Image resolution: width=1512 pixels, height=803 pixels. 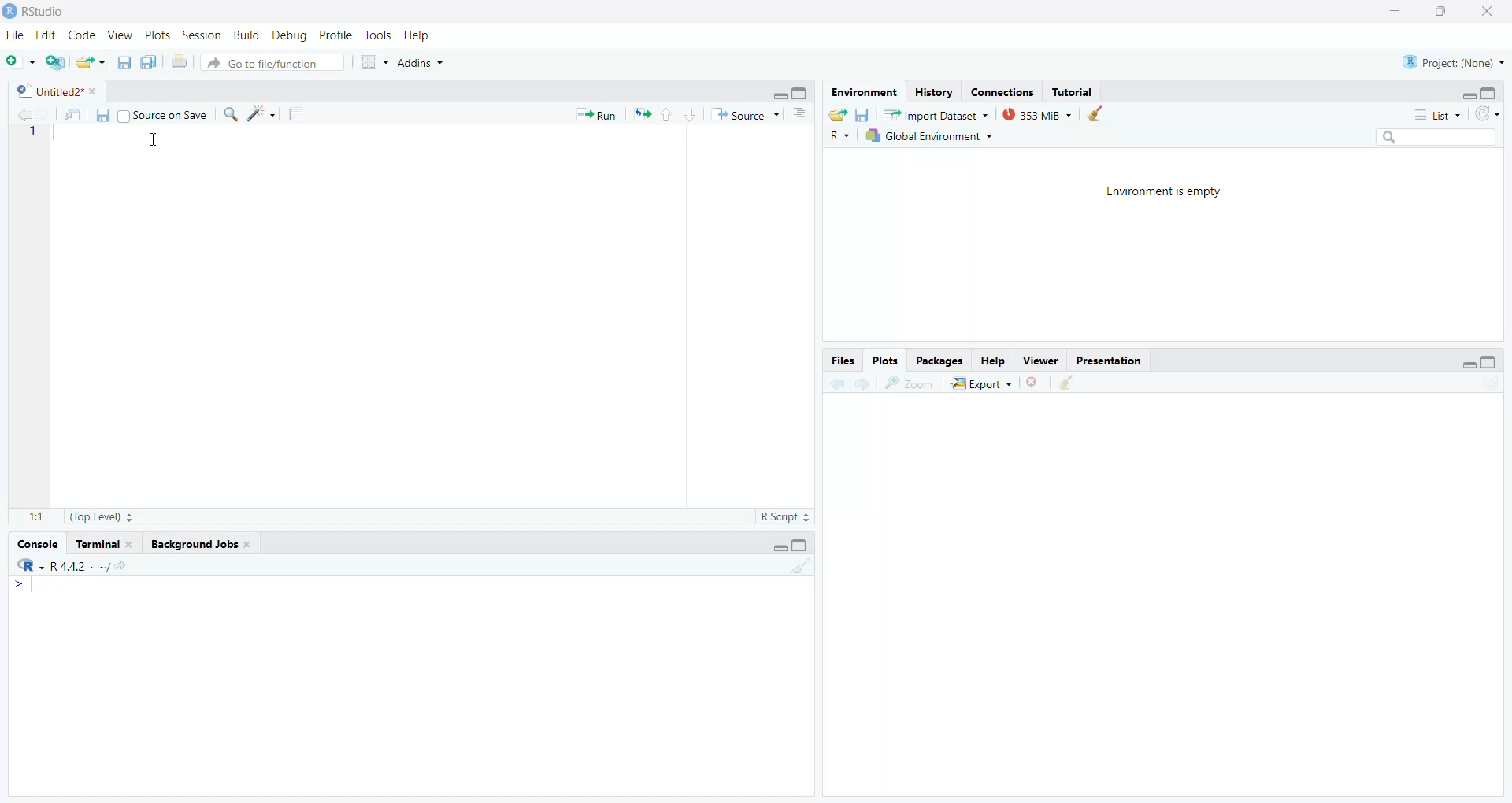 I want to click on close, so click(x=1481, y=11).